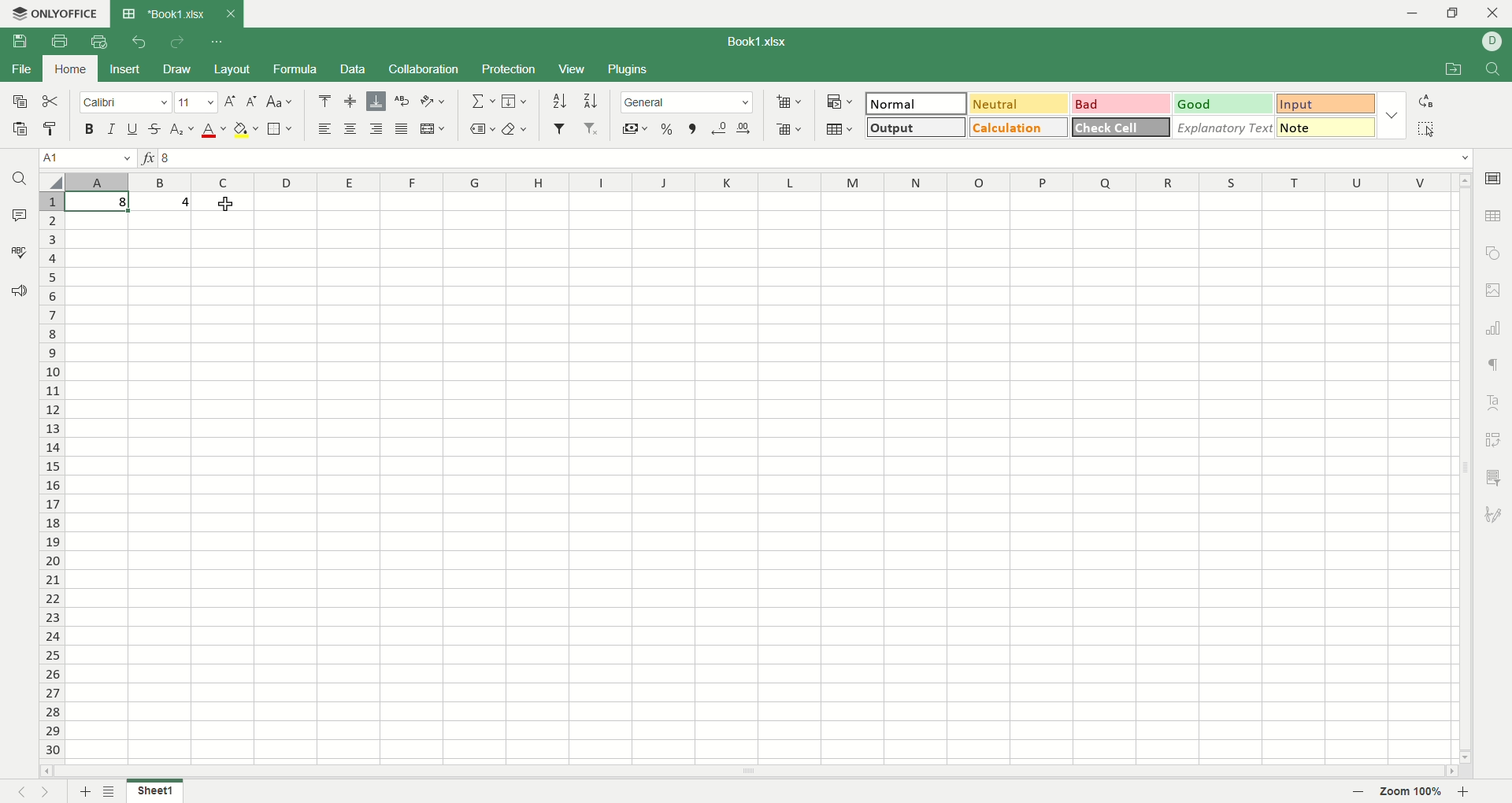  What do you see at coordinates (20, 790) in the screenshot?
I see `previous` at bounding box center [20, 790].